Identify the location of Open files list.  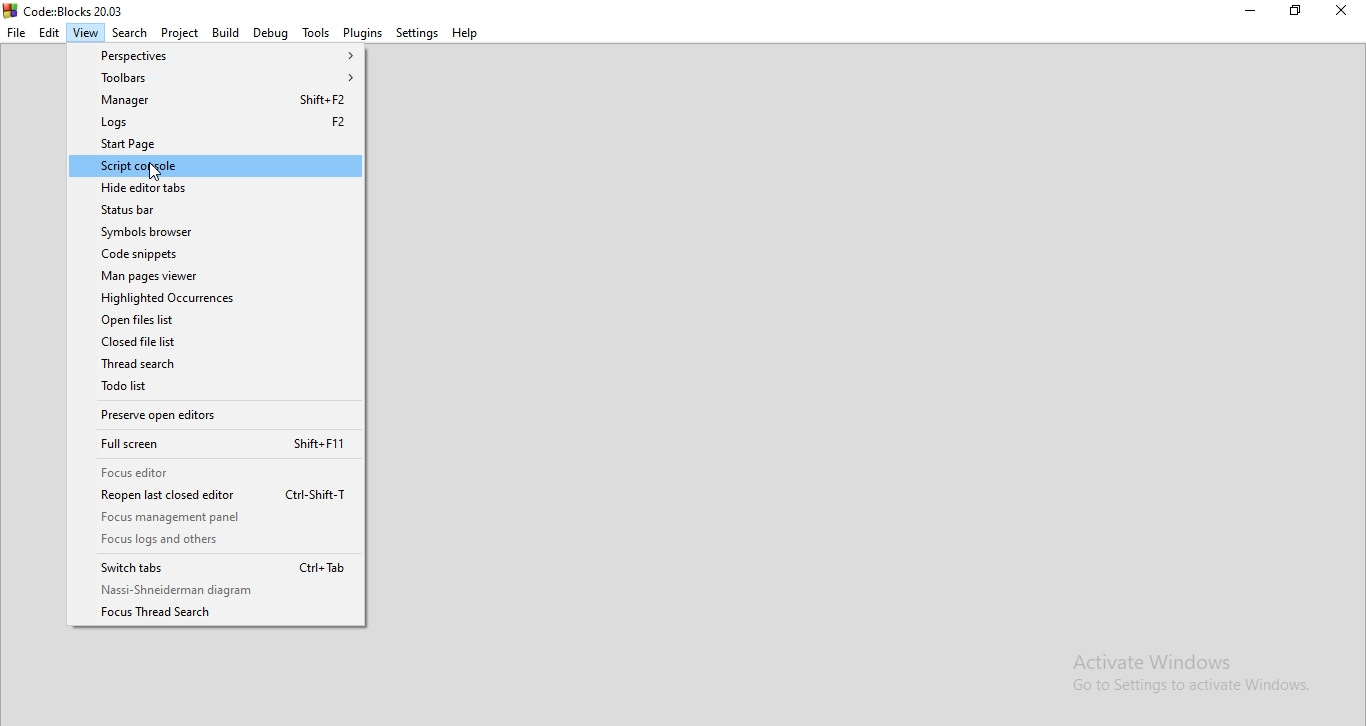
(217, 321).